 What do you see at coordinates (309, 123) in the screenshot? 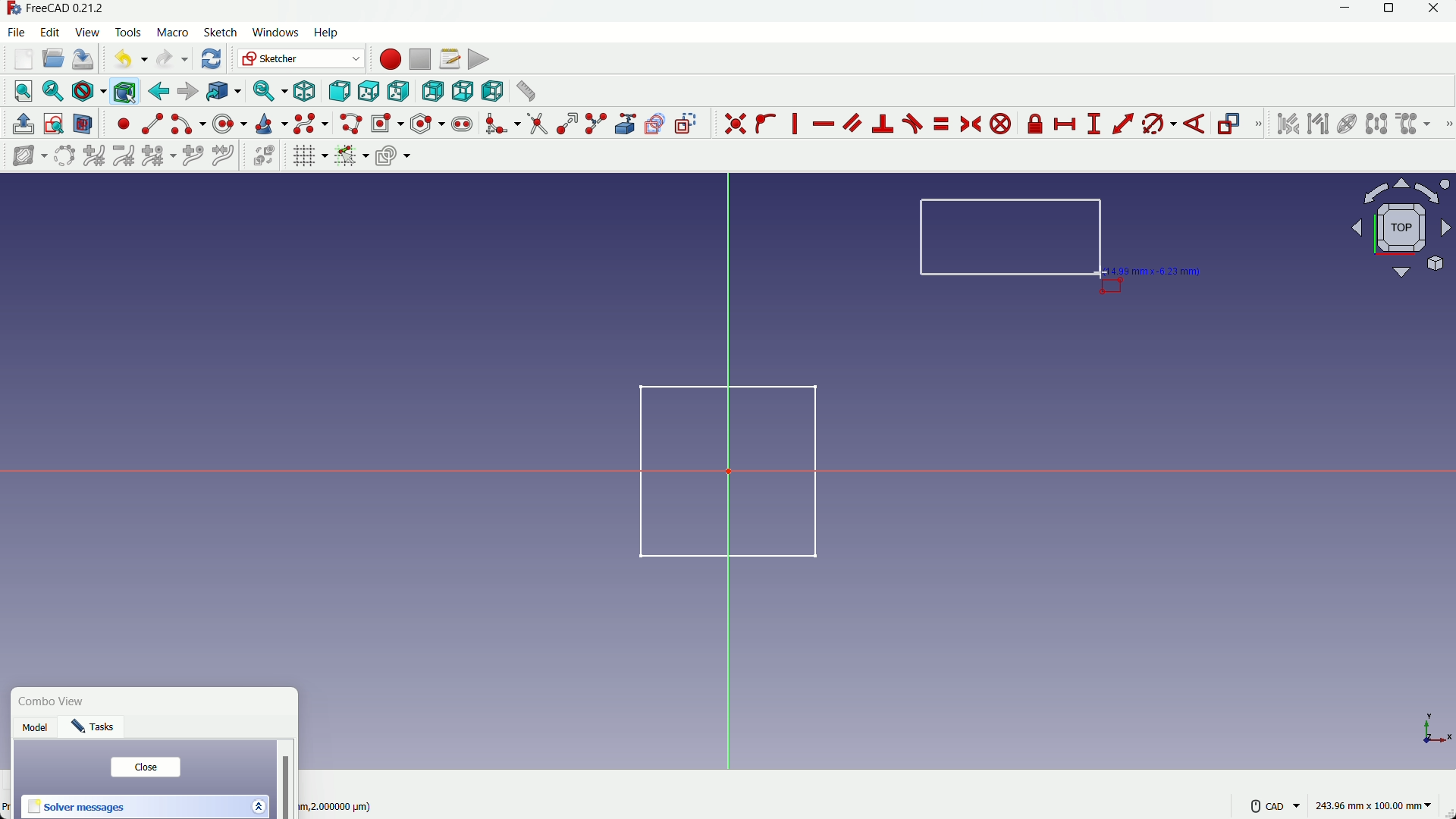
I see `create spiline` at bounding box center [309, 123].